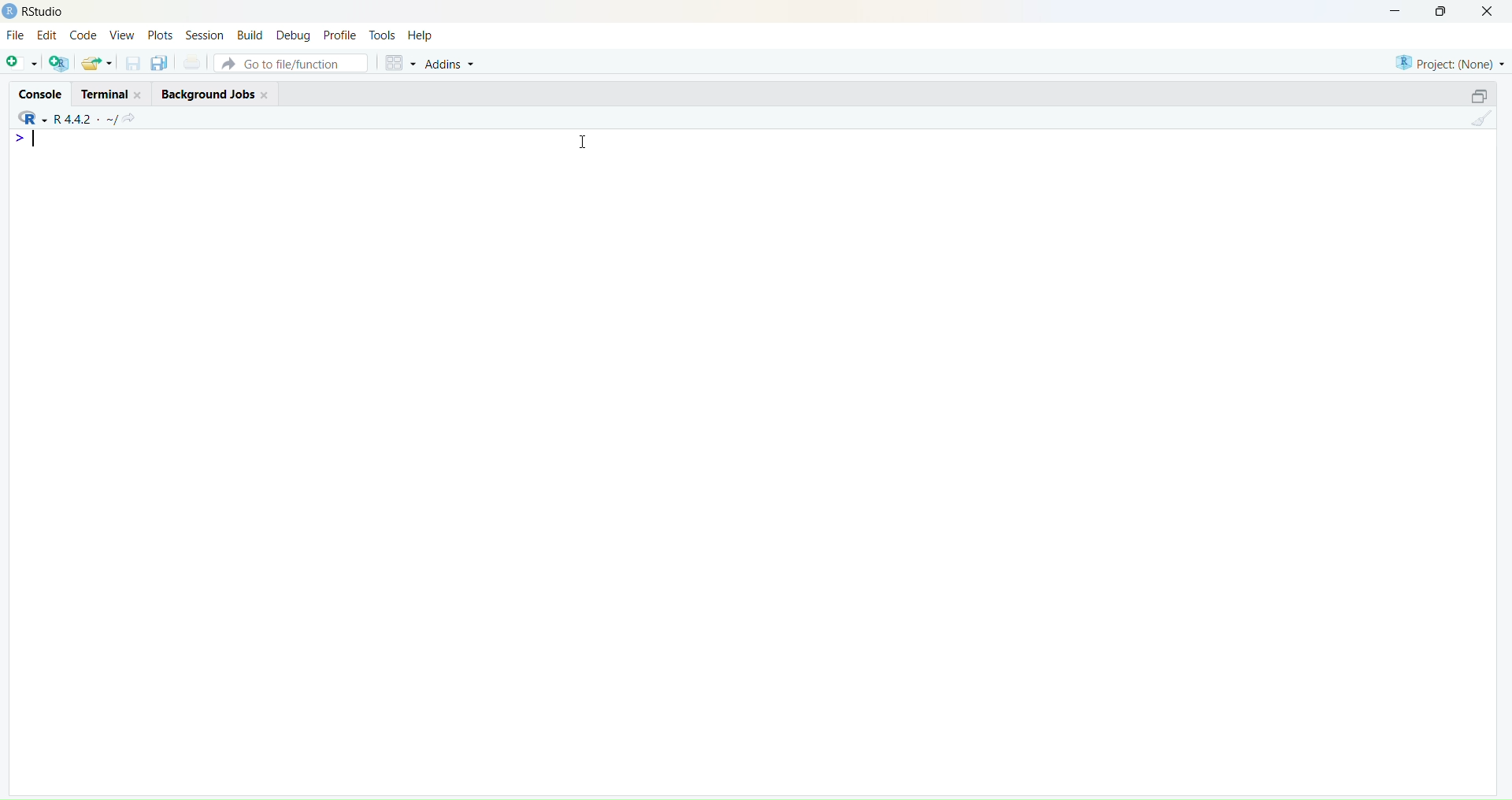 The height and width of the screenshot is (800, 1512). I want to click on View, so click(123, 35).